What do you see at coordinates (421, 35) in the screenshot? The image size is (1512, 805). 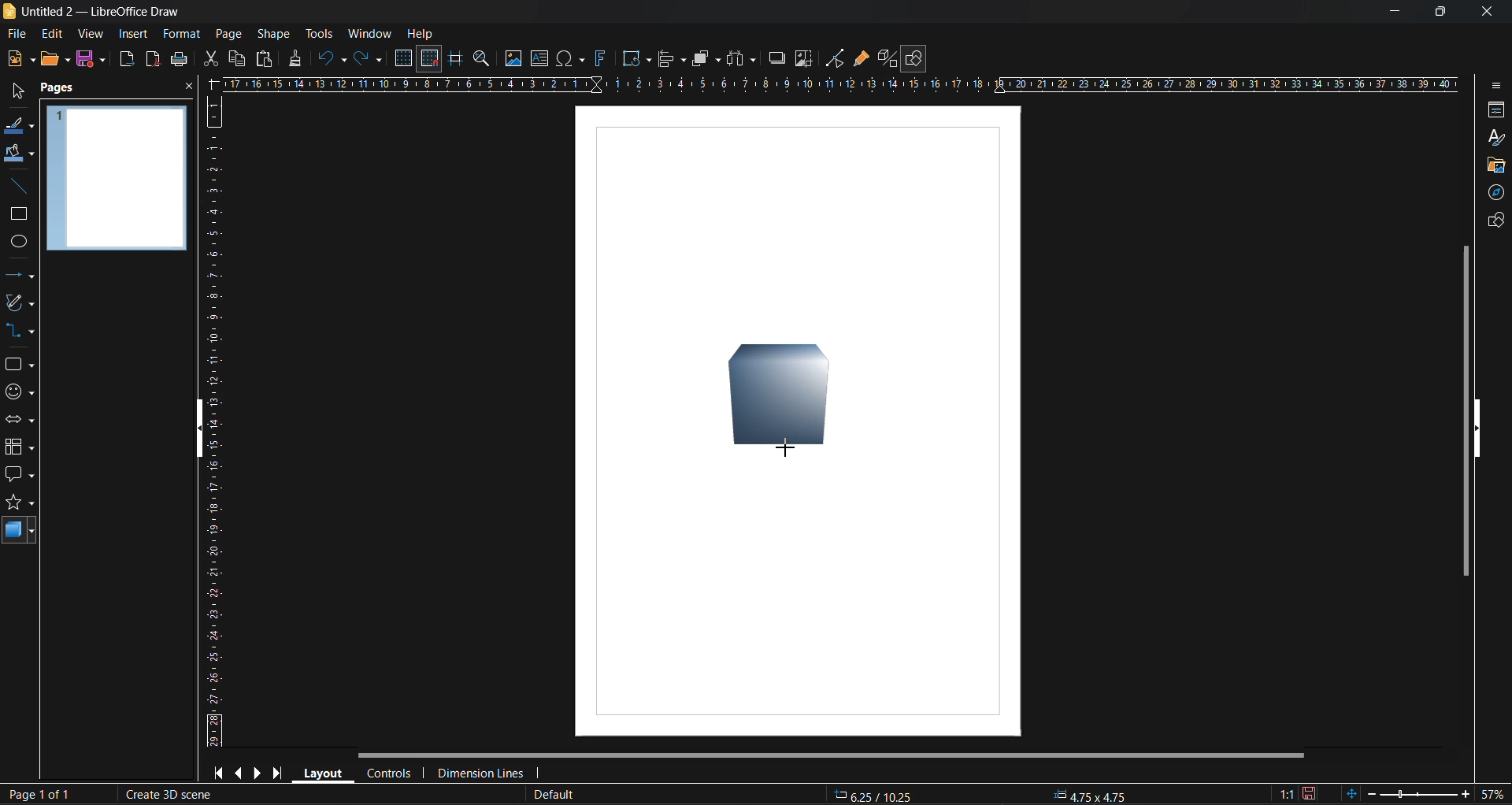 I see `help` at bounding box center [421, 35].